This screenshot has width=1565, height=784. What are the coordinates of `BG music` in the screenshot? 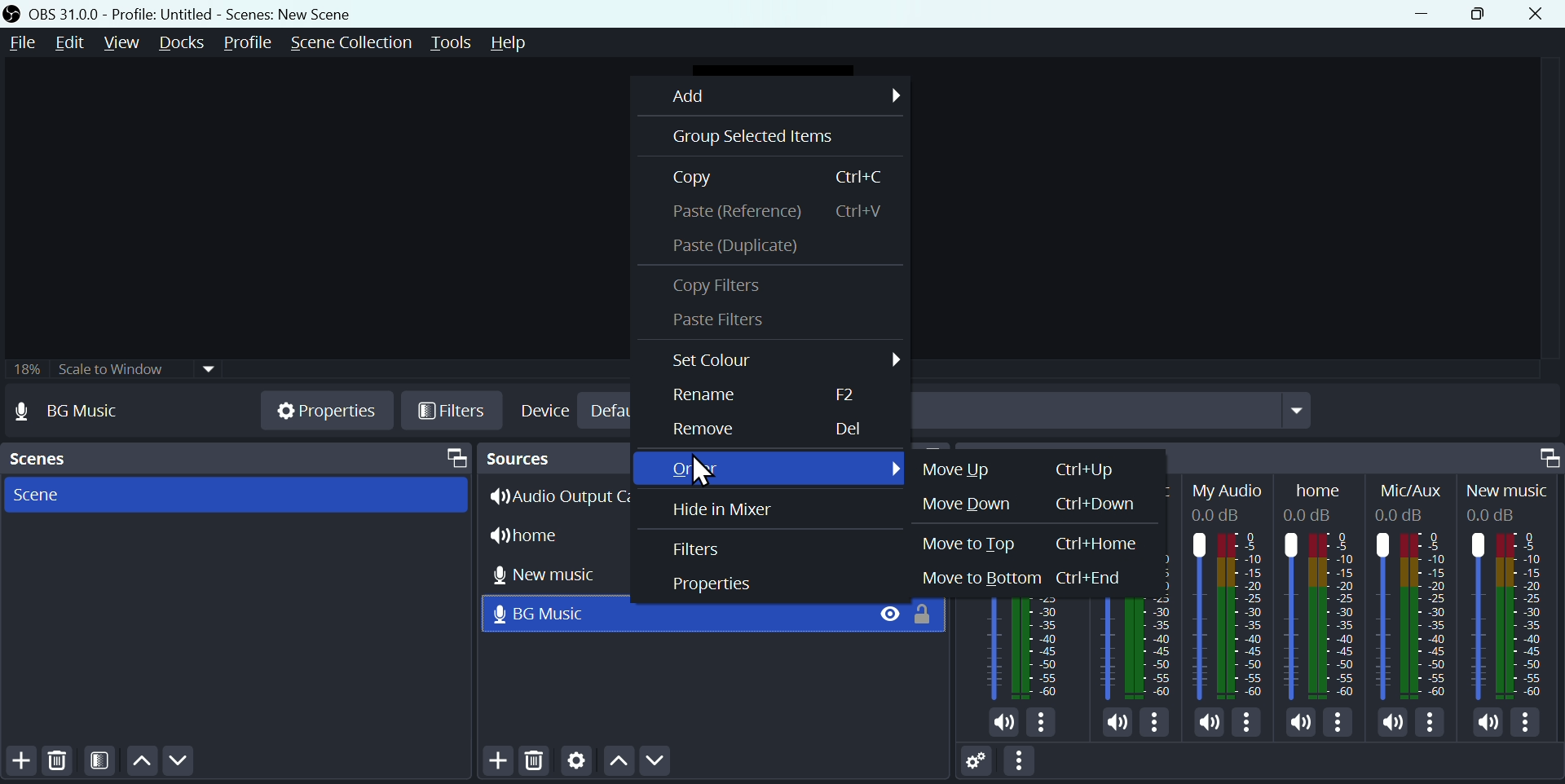 It's located at (552, 614).